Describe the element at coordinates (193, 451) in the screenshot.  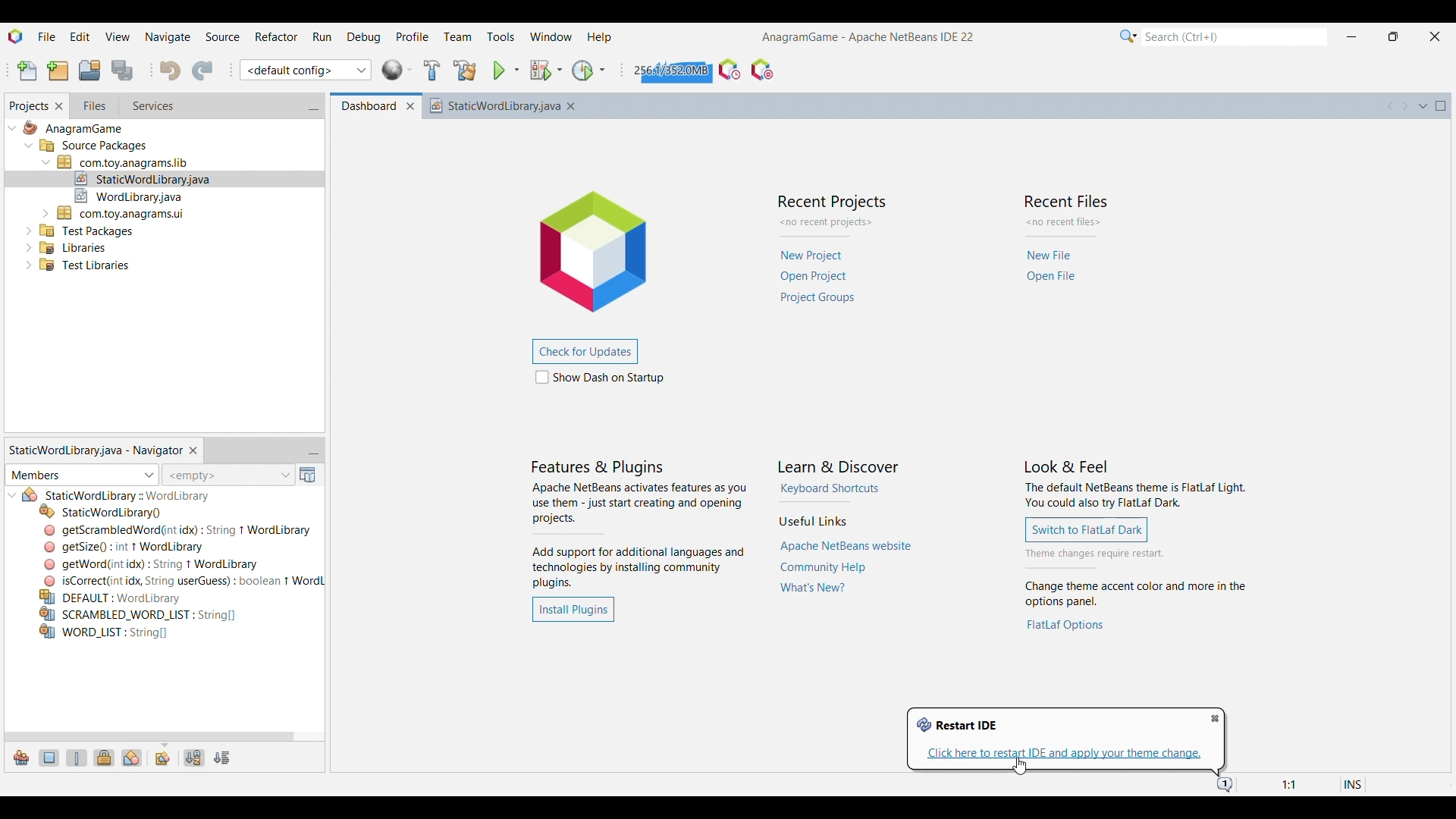
I see `Close current selection` at that location.